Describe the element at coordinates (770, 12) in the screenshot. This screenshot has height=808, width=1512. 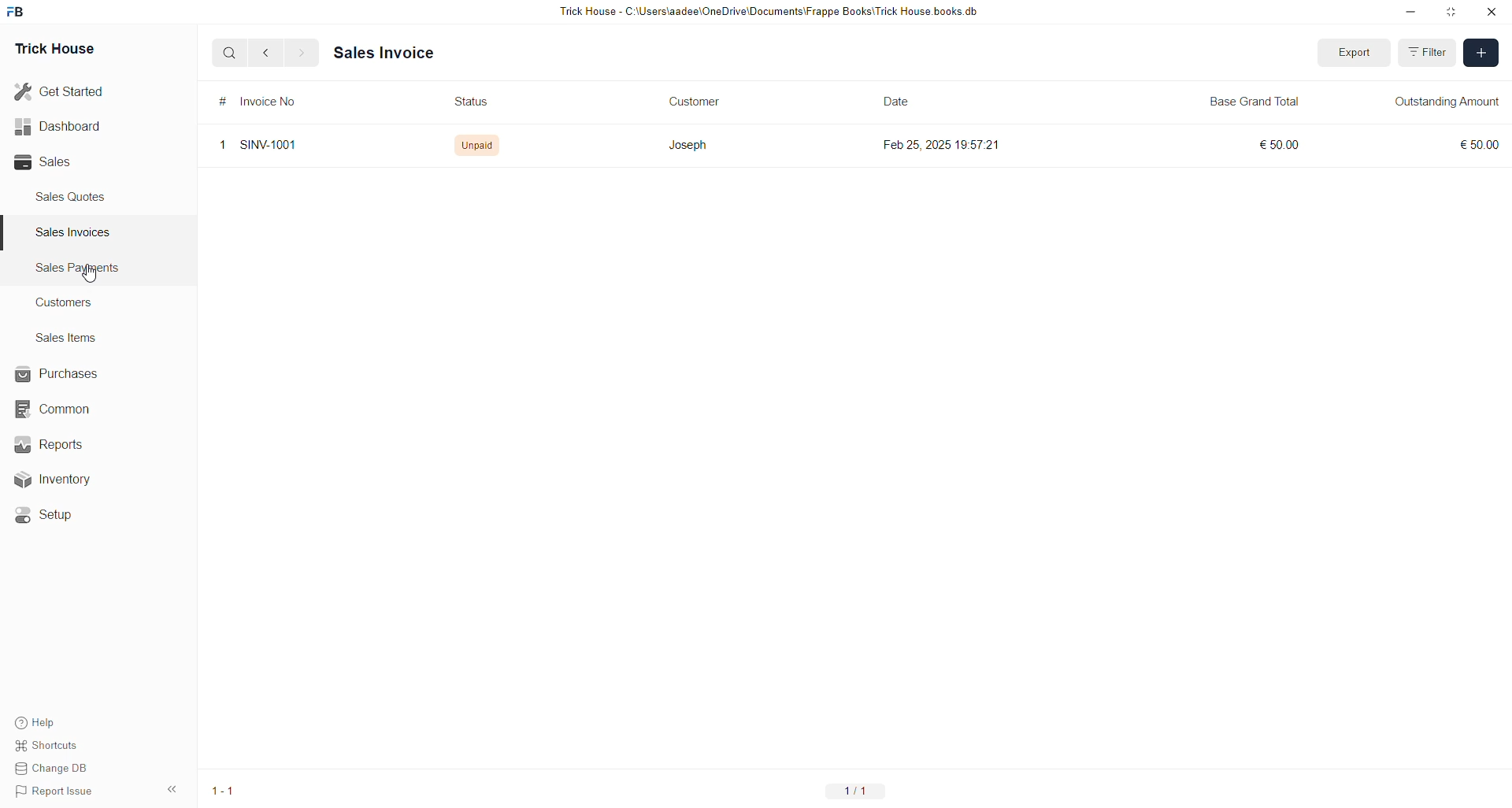
I see `Trick House - C:\Users\aadee\OneDrive\Documents\Frappe Books\Trick House books db` at that location.